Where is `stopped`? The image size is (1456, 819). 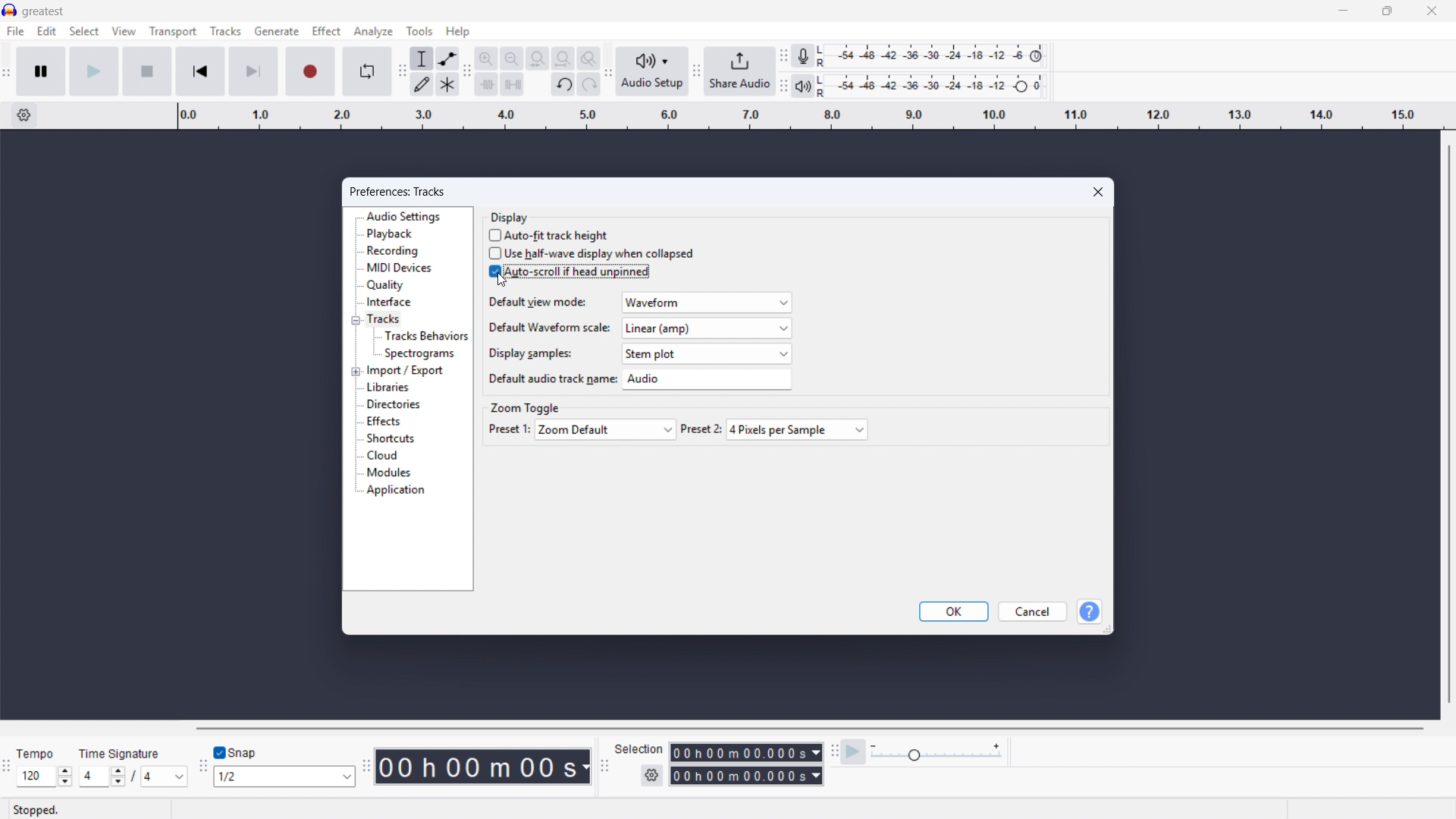
stopped is located at coordinates (35, 811).